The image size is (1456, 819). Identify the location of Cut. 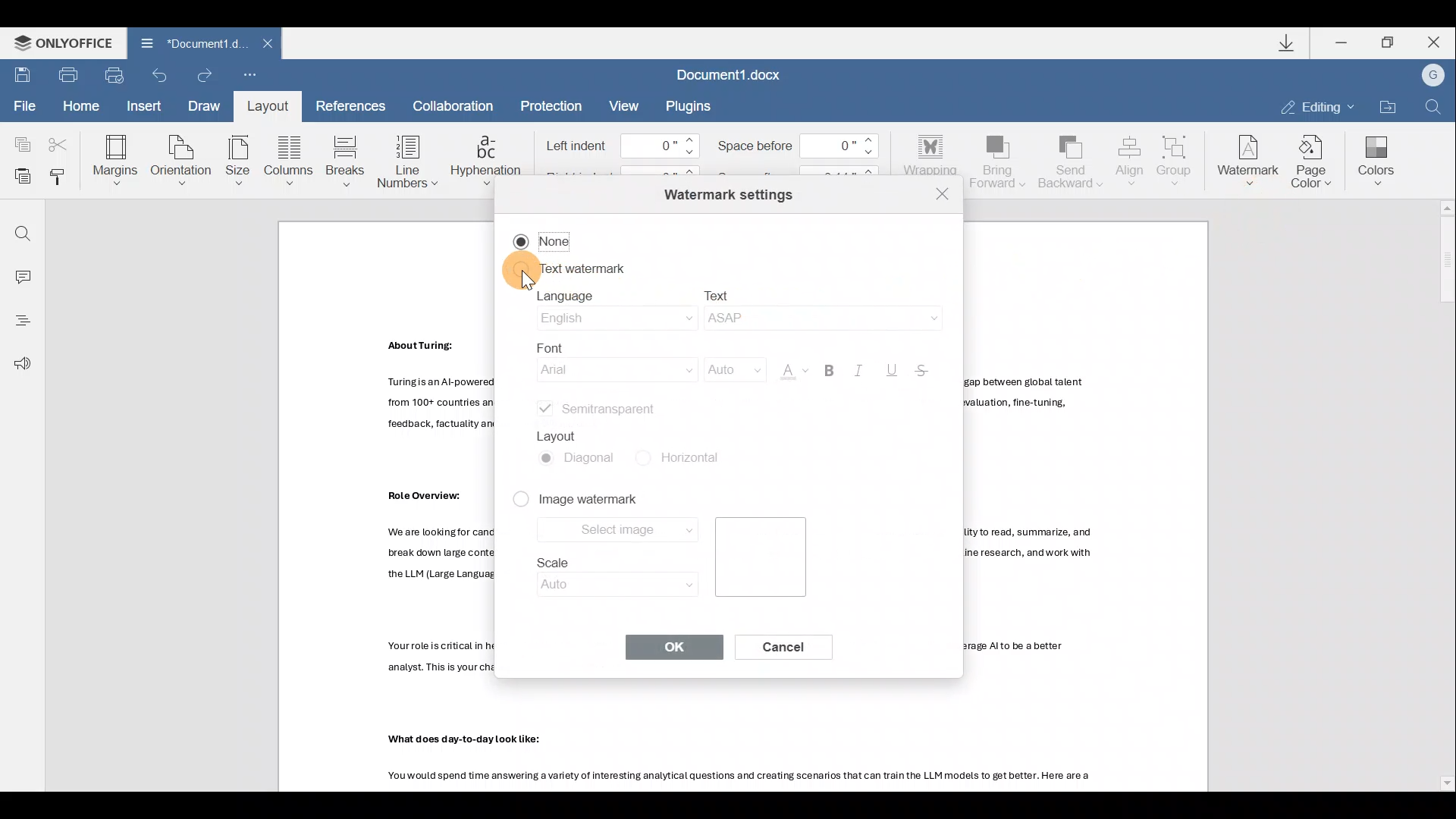
(58, 142).